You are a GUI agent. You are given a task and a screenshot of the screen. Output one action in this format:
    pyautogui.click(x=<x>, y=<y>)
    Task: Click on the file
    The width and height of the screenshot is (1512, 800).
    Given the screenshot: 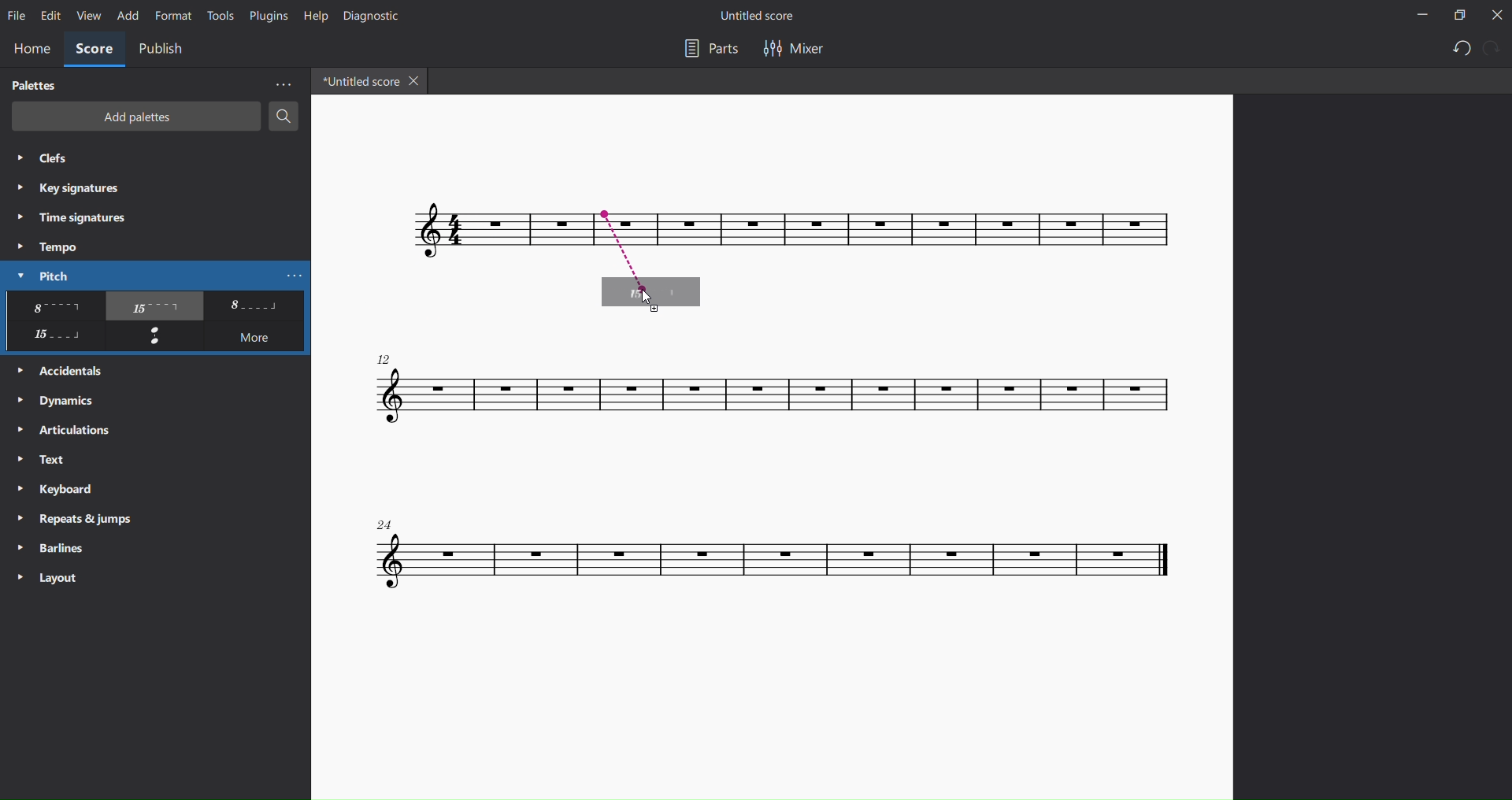 What is the action you would take?
    pyautogui.click(x=18, y=14)
    